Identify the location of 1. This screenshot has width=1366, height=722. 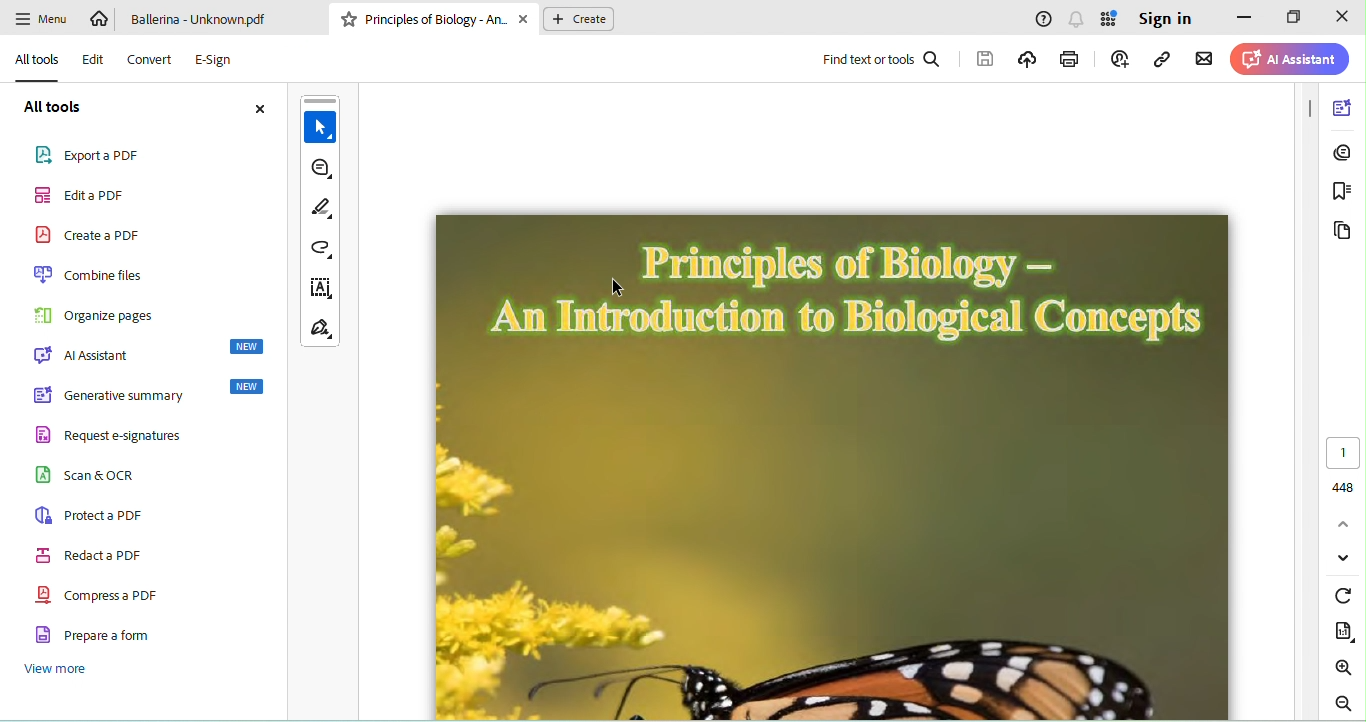
(1343, 453).